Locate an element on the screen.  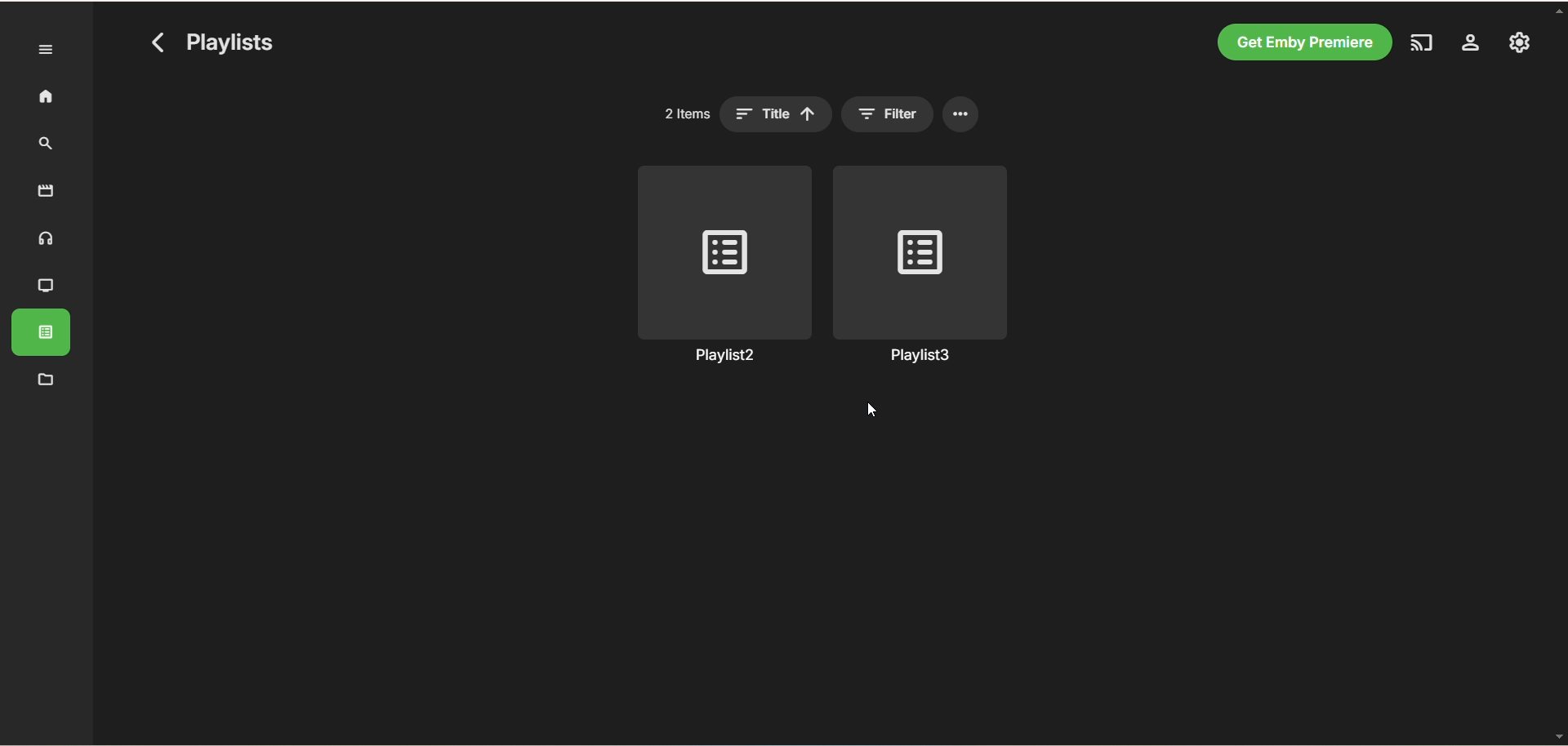
back is located at coordinates (159, 42).